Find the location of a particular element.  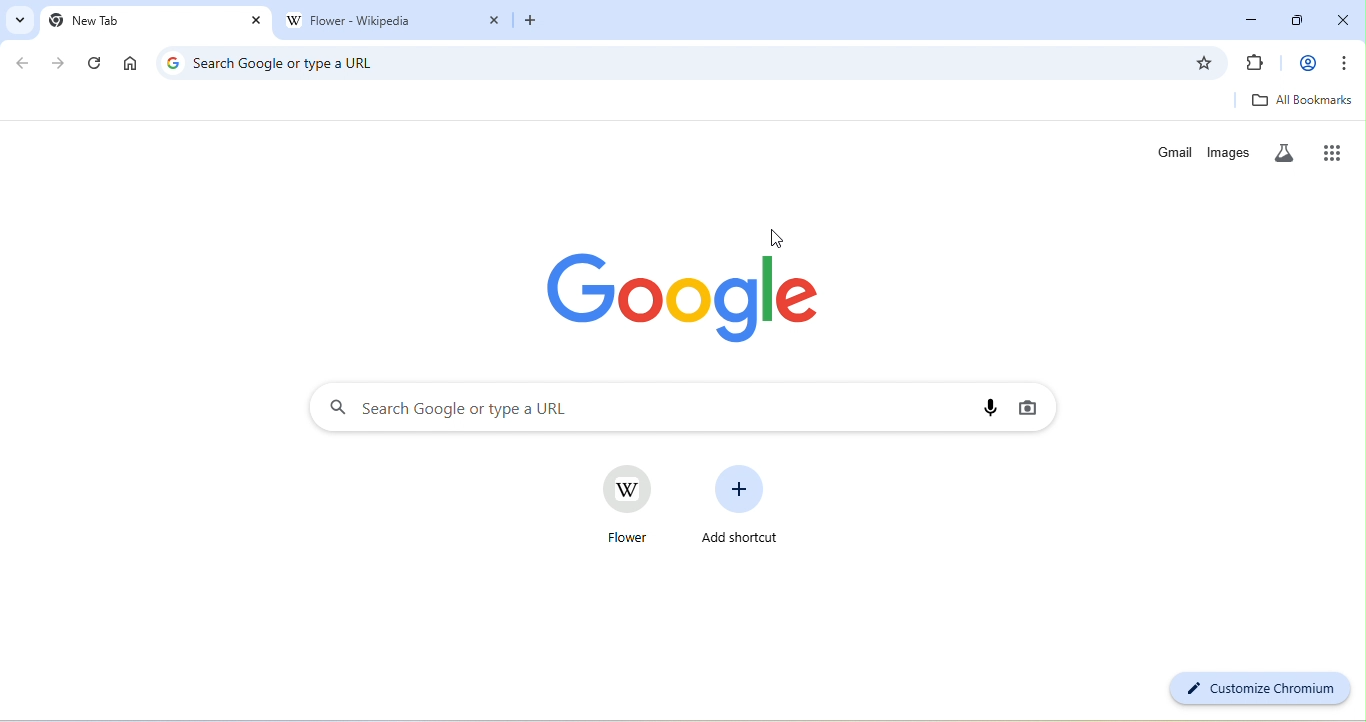

add shortcut is located at coordinates (744, 503).